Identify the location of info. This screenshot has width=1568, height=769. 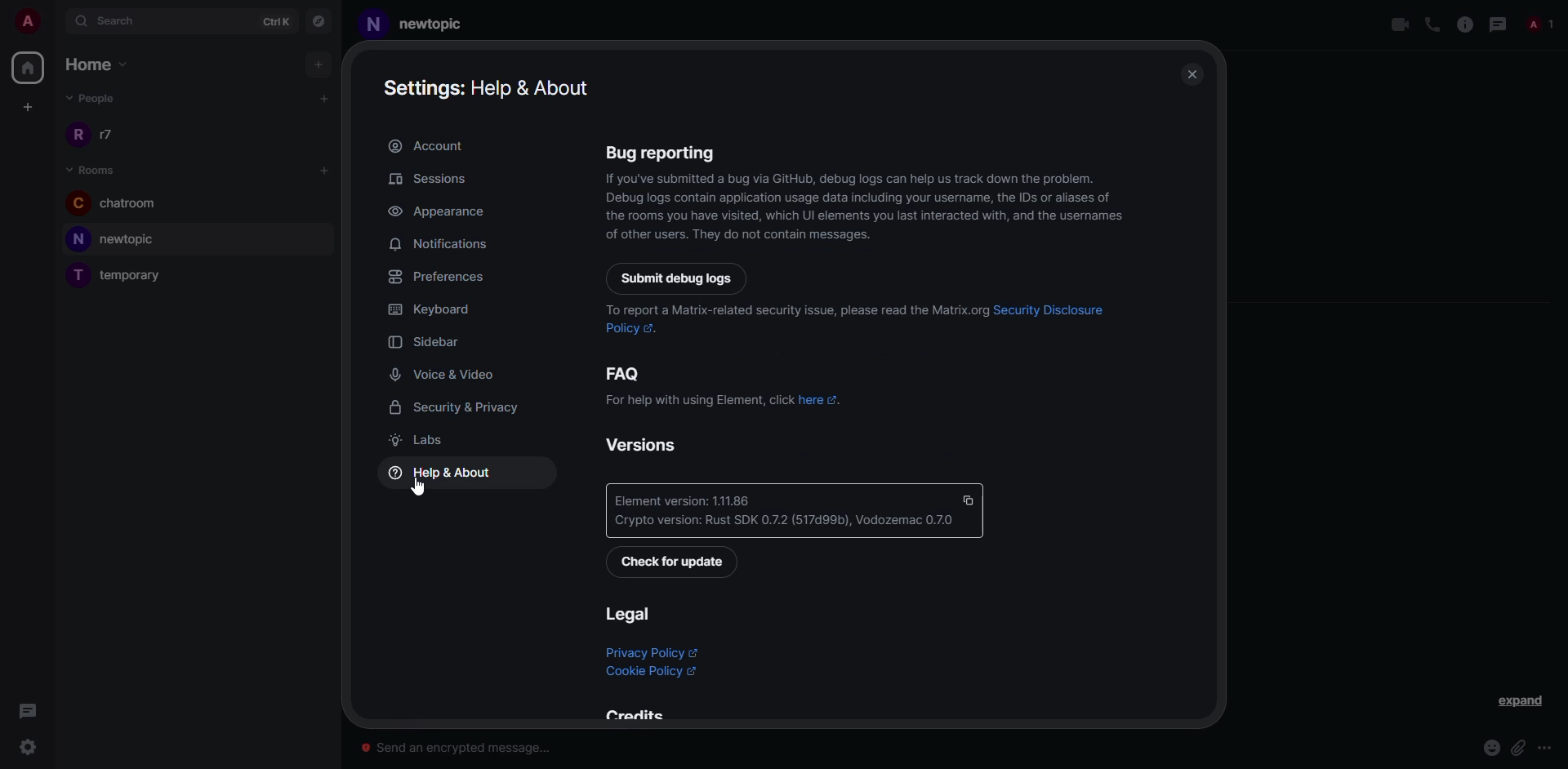
(870, 208).